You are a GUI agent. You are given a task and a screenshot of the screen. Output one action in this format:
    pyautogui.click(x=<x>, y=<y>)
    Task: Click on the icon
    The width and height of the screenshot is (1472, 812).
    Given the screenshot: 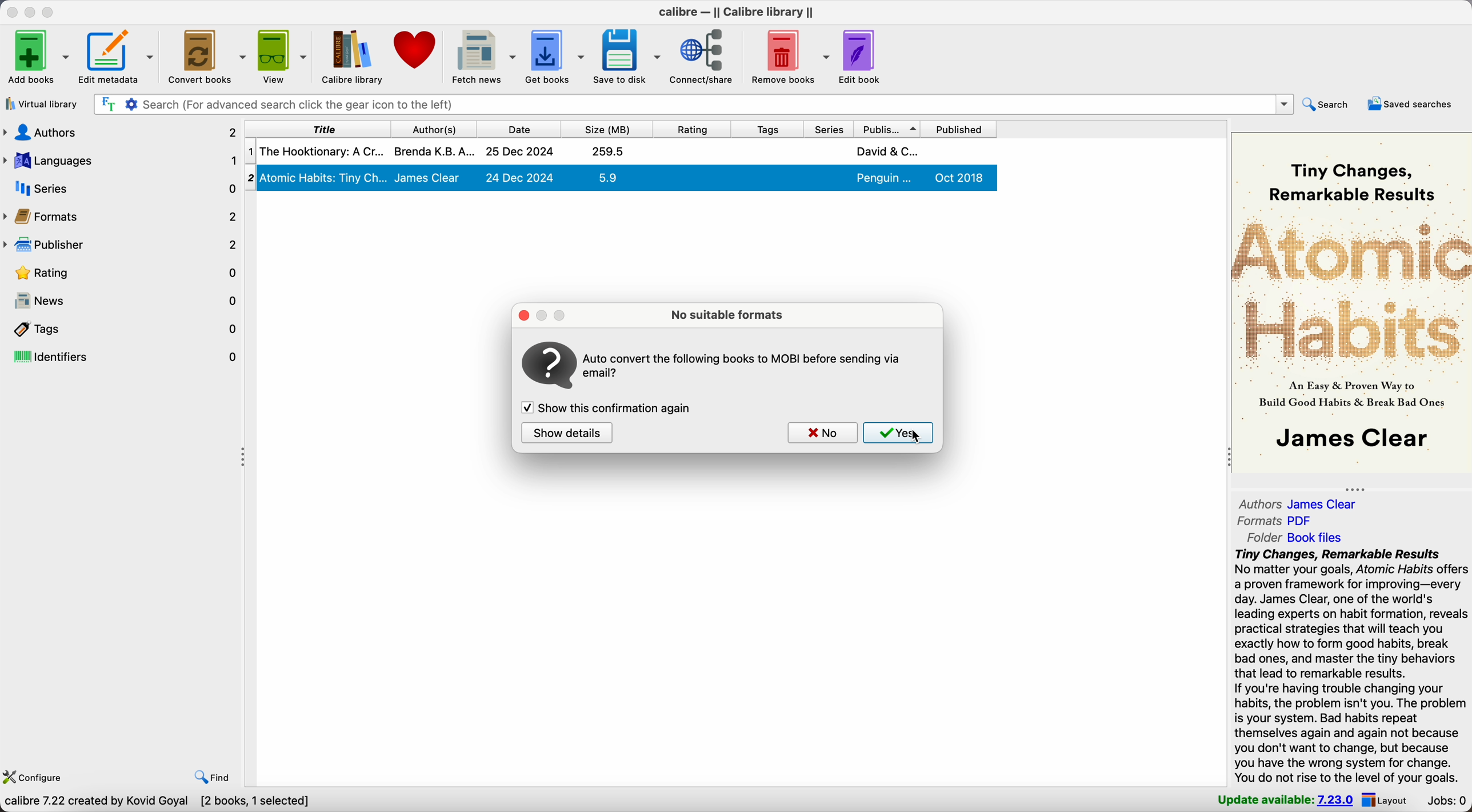 What is the action you would take?
    pyautogui.click(x=549, y=365)
    